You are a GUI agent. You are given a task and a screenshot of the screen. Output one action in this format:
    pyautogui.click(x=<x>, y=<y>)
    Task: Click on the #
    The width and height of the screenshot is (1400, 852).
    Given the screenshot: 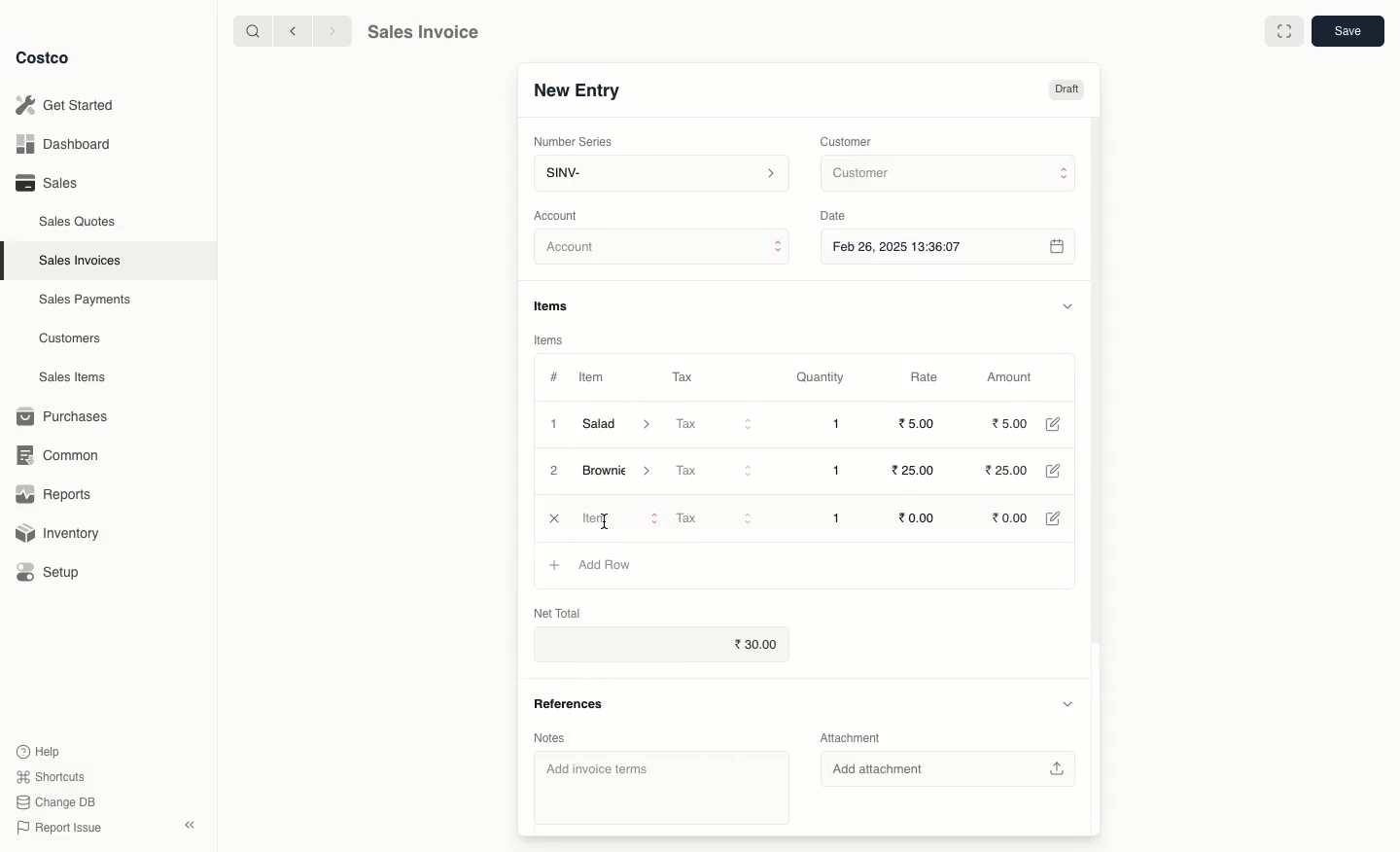 What is the action you would take?
    pyautogui.click(x=554, y=375)
    